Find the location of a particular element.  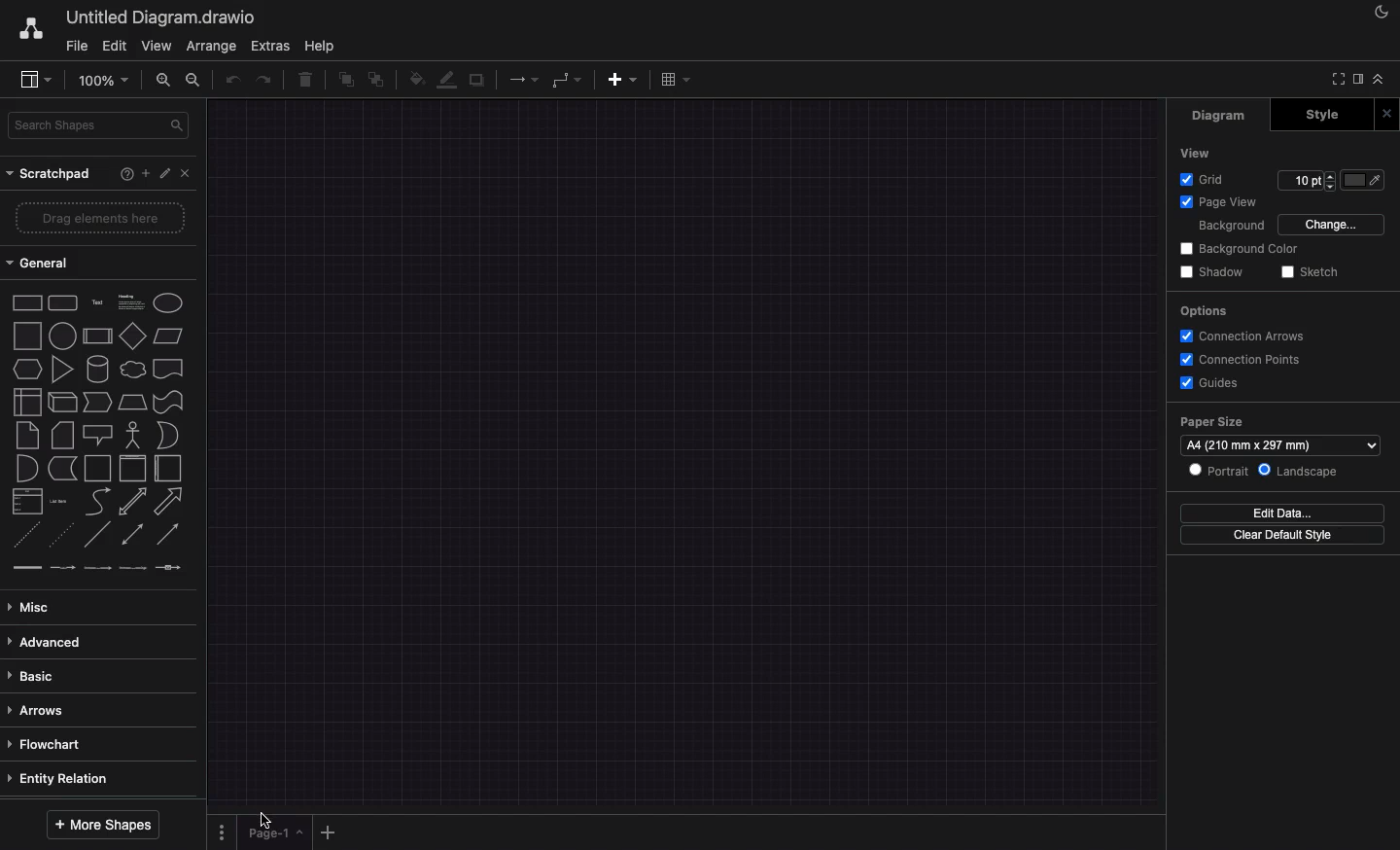

edit is located at coordinates (114, 46).